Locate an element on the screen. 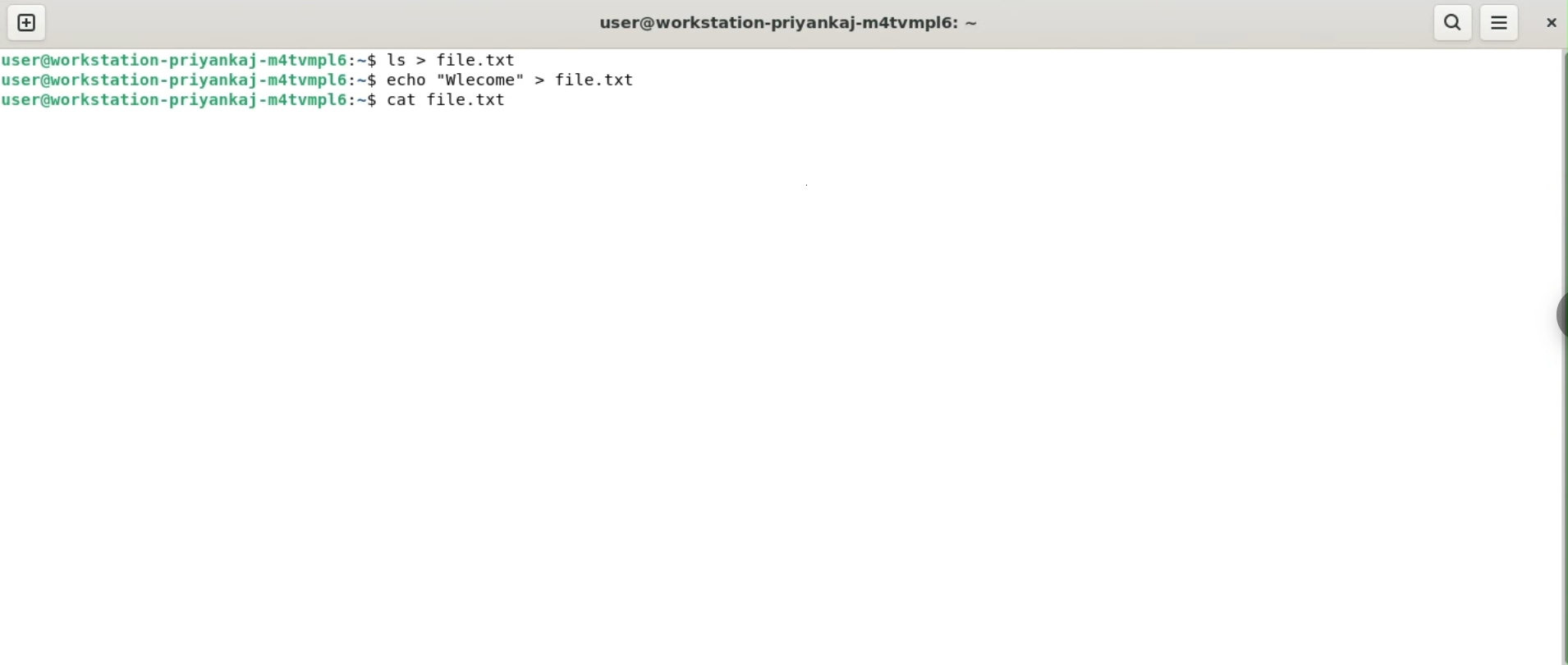 Image resolution: width=1568 pixels, height=665 pixels. user@workstation-priyankaj-m4tvmpl6: ~$ is located at coordinates (188, 103).